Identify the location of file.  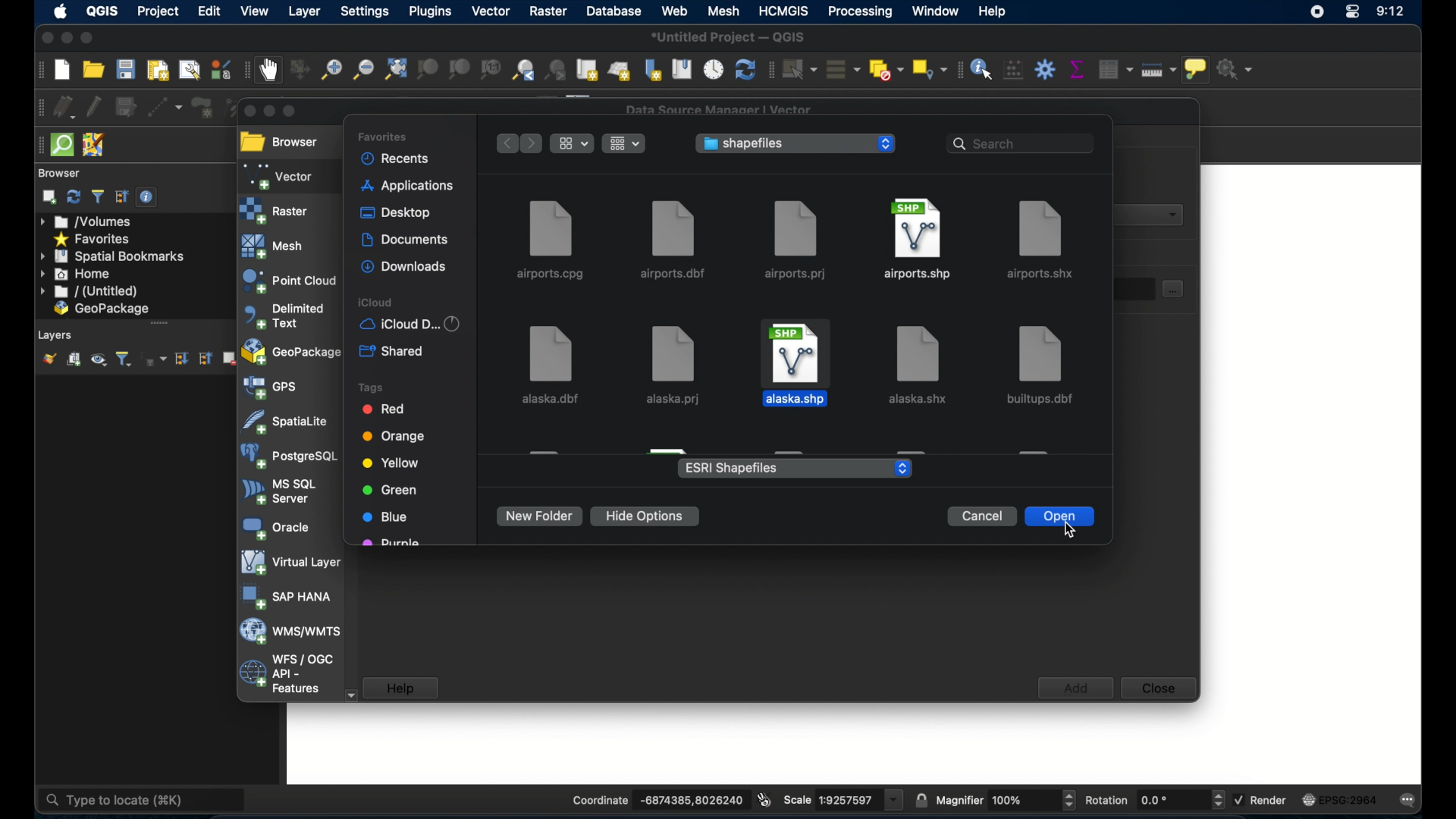
(794, 363).